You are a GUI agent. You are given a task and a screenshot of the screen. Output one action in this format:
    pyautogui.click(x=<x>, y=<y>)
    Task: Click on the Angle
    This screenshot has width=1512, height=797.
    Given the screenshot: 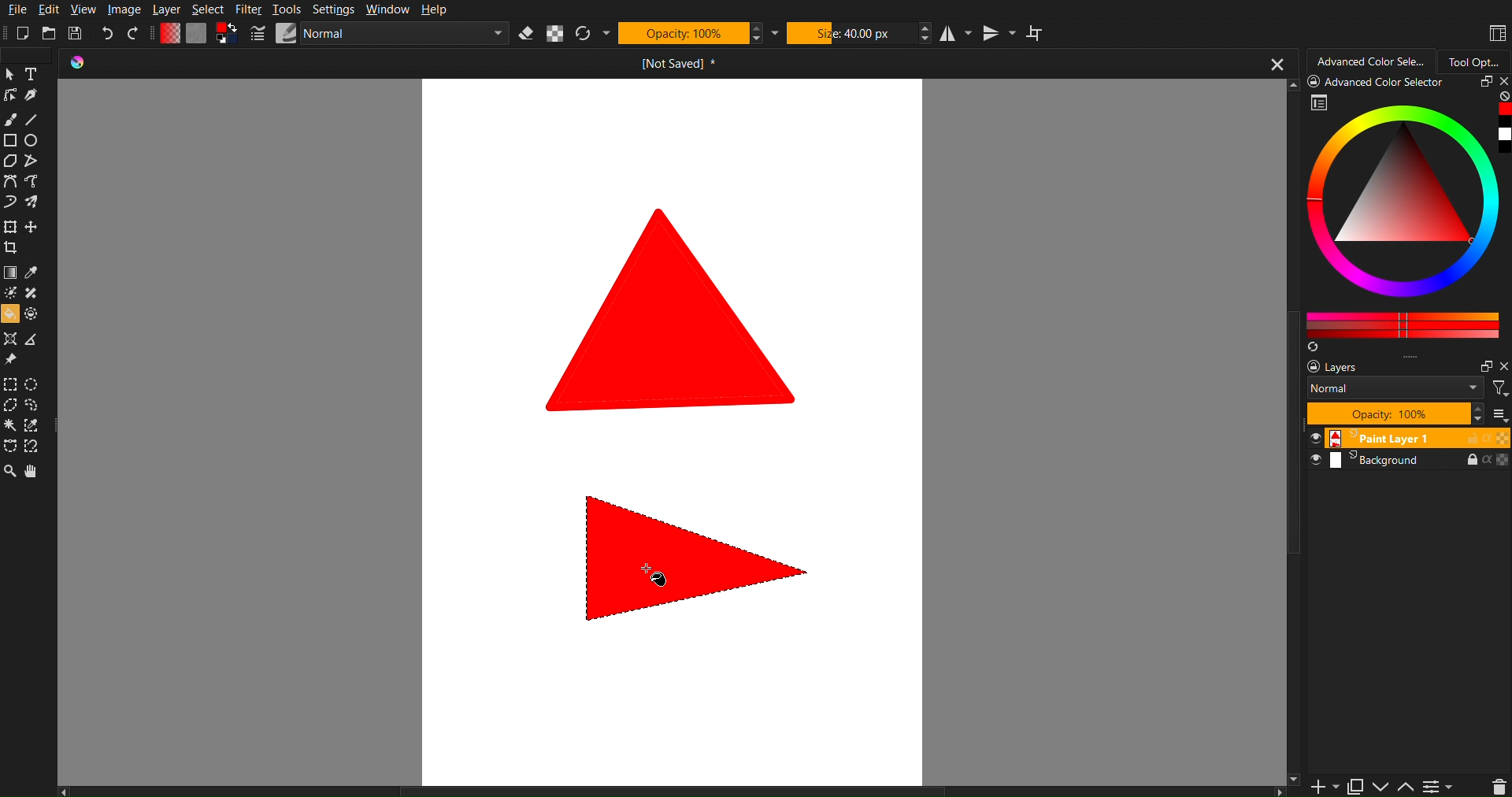 What is the action you would take?
    pyautogui.click(x=31, y=342)
    